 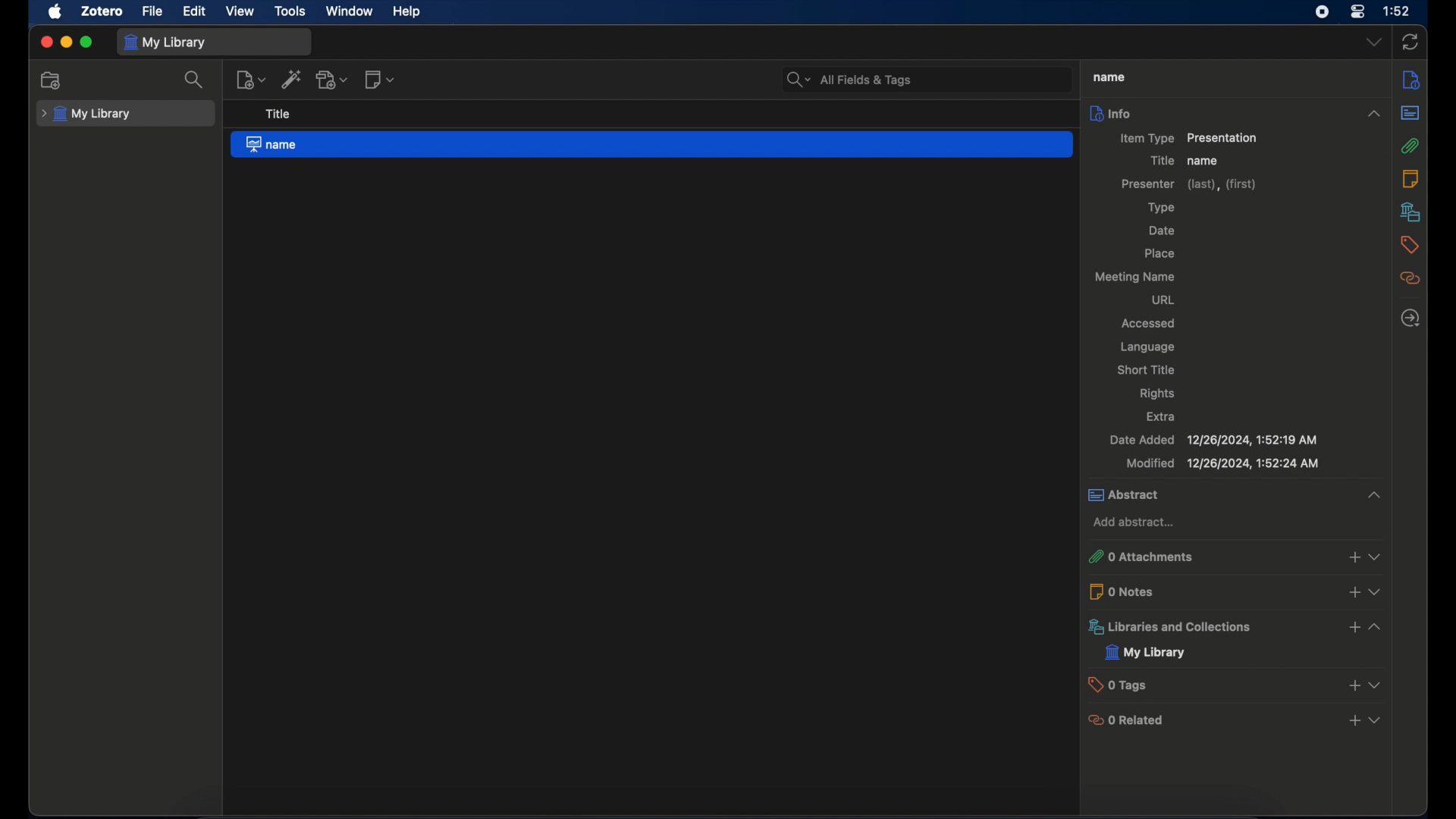 What do you see at coordinates (1321, 13) in the screenshot?
I see `screen recorder` at bounding box center [1321, 13].